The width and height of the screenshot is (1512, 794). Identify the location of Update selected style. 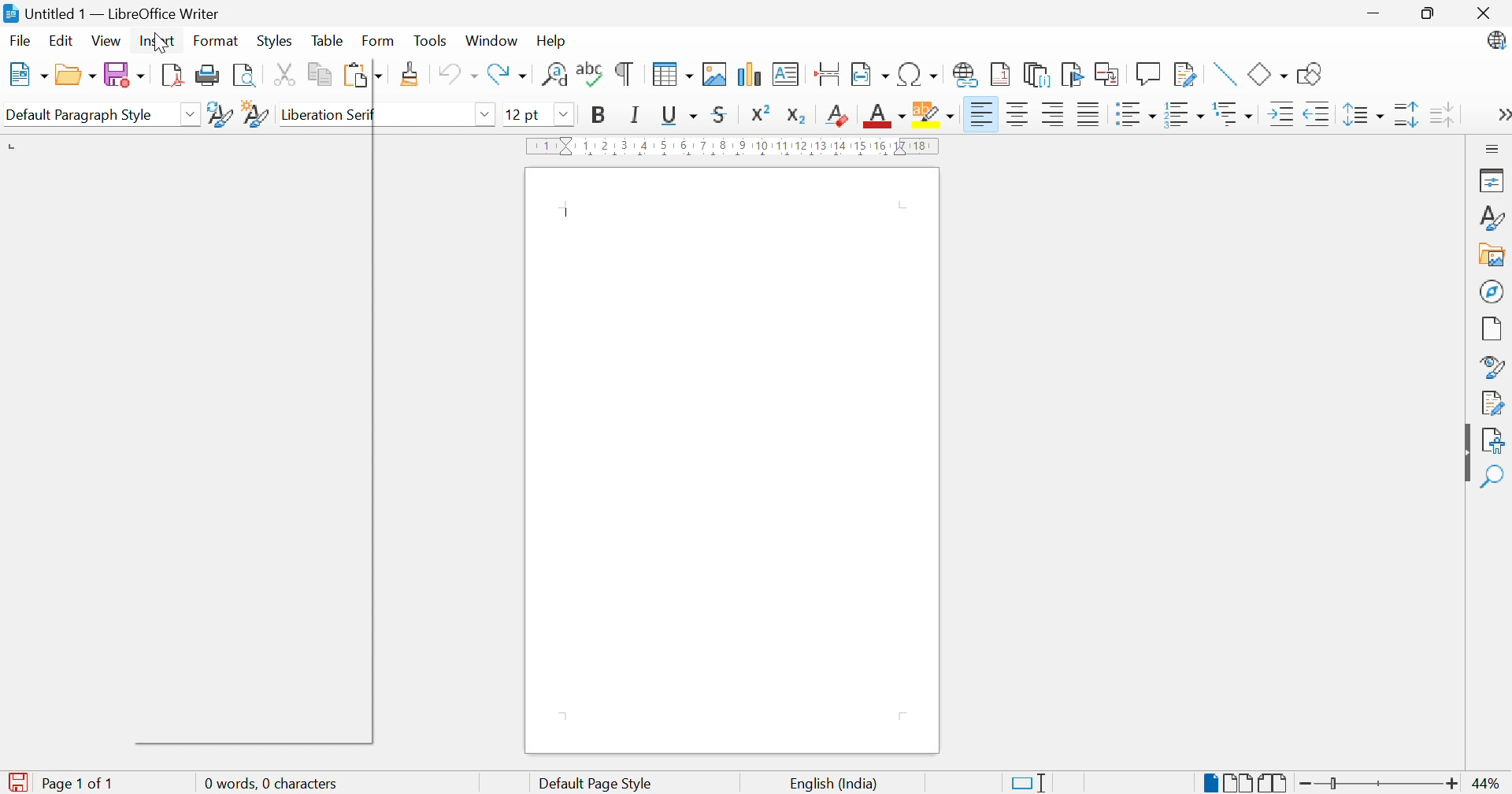
(220, 116).